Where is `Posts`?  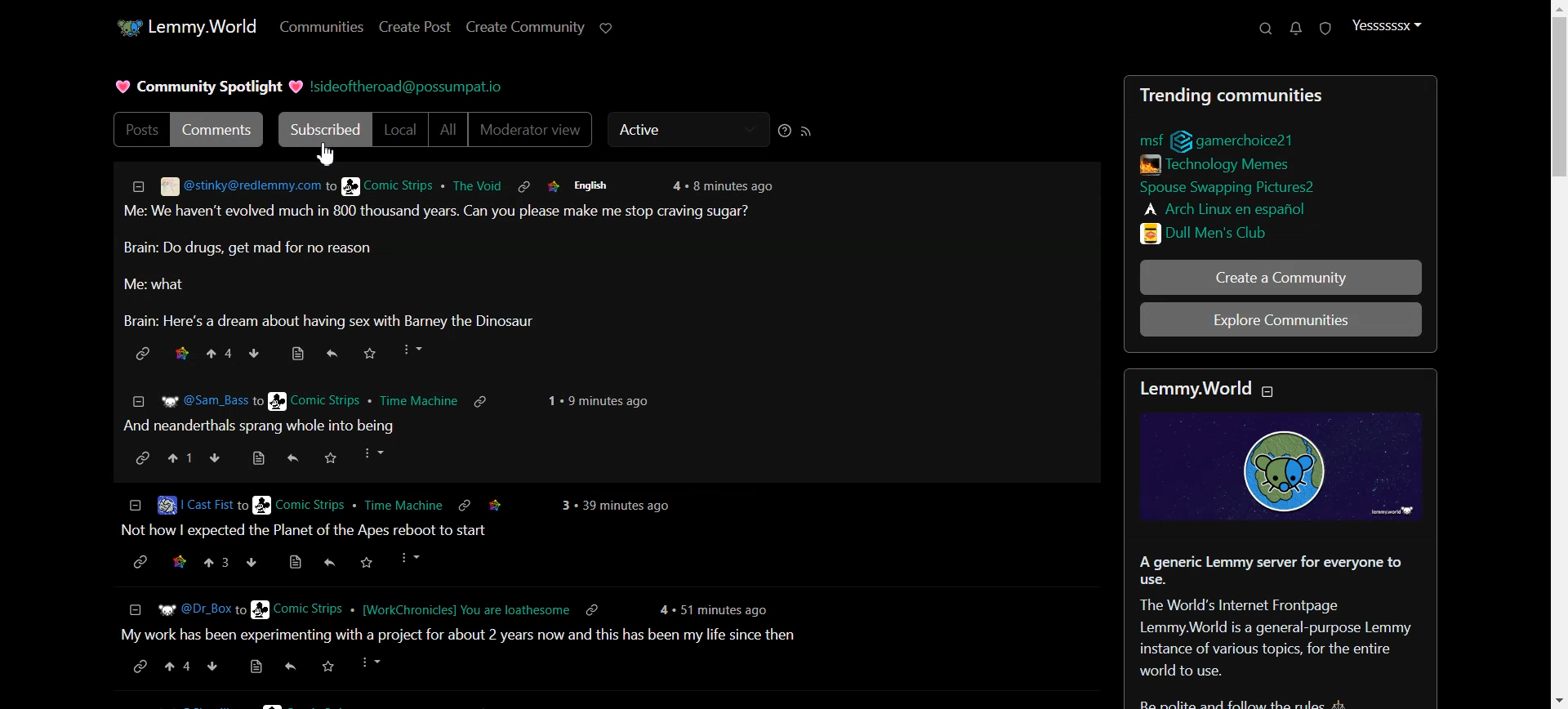
Posts is located at coordinates (1279, 94).